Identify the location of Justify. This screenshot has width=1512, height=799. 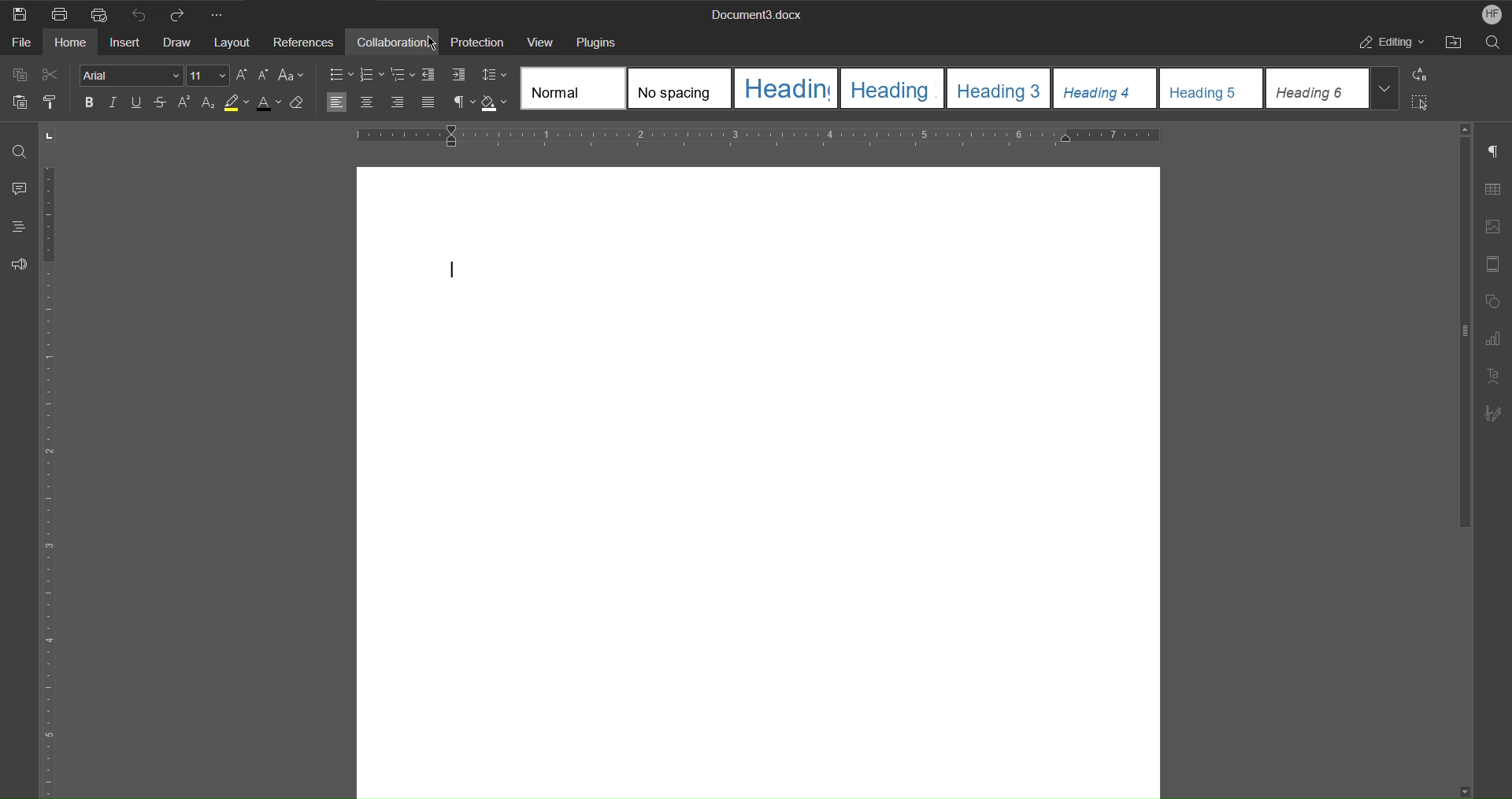
(427, 100).